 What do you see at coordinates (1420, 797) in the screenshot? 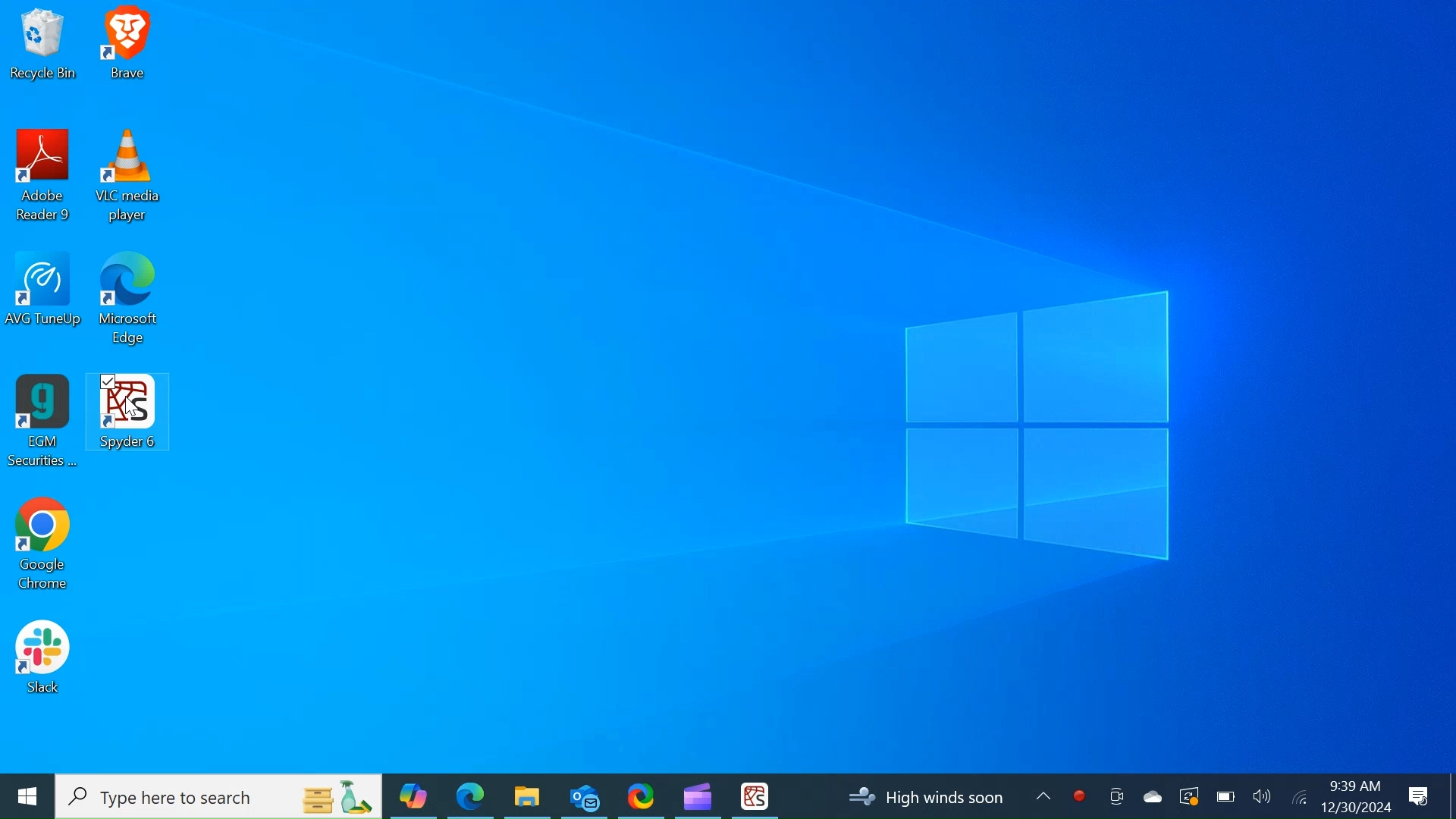
I see `Notification` at bounding box center [1420, 797].